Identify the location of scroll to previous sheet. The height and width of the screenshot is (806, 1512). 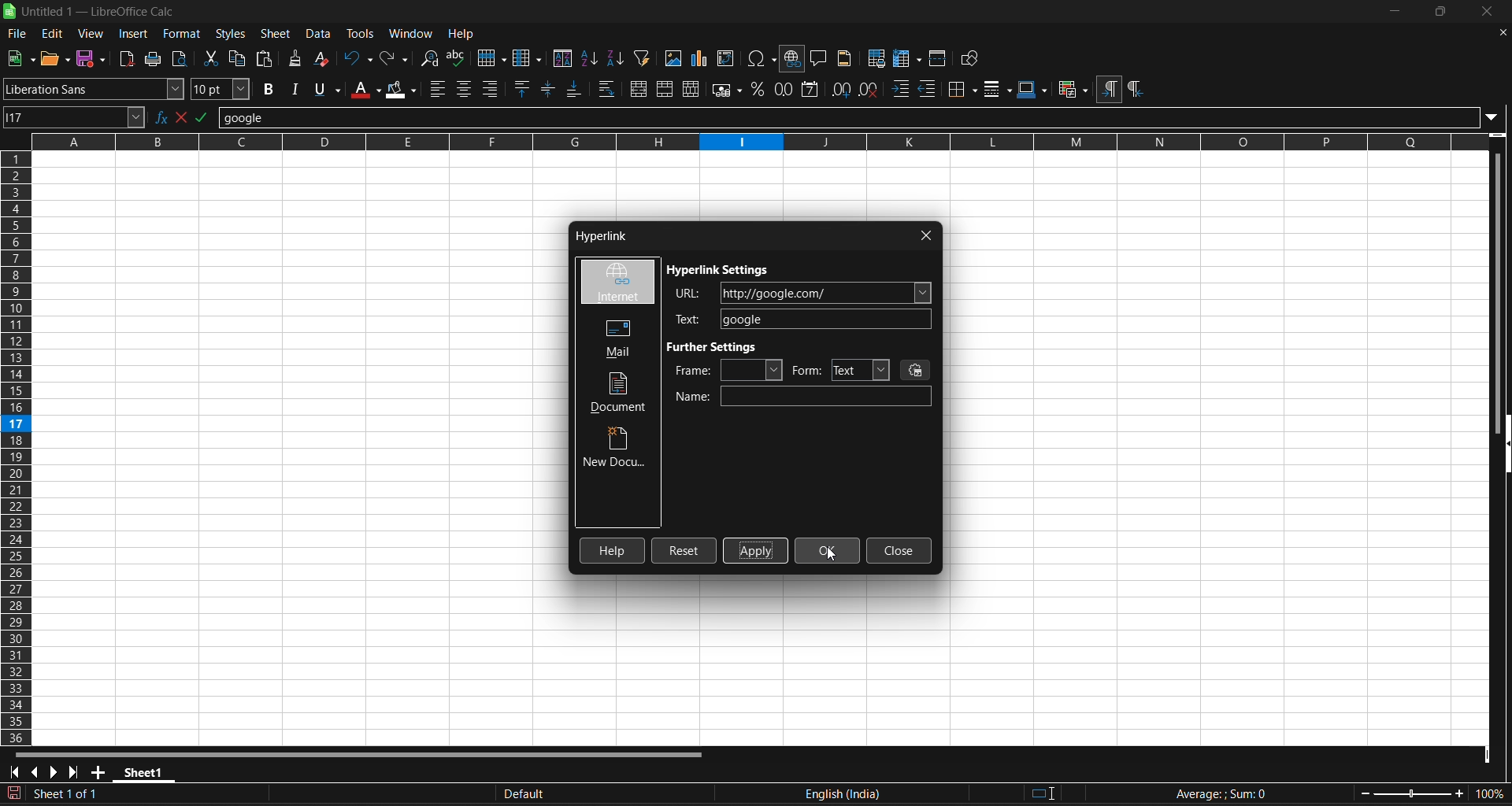
(35, 772).